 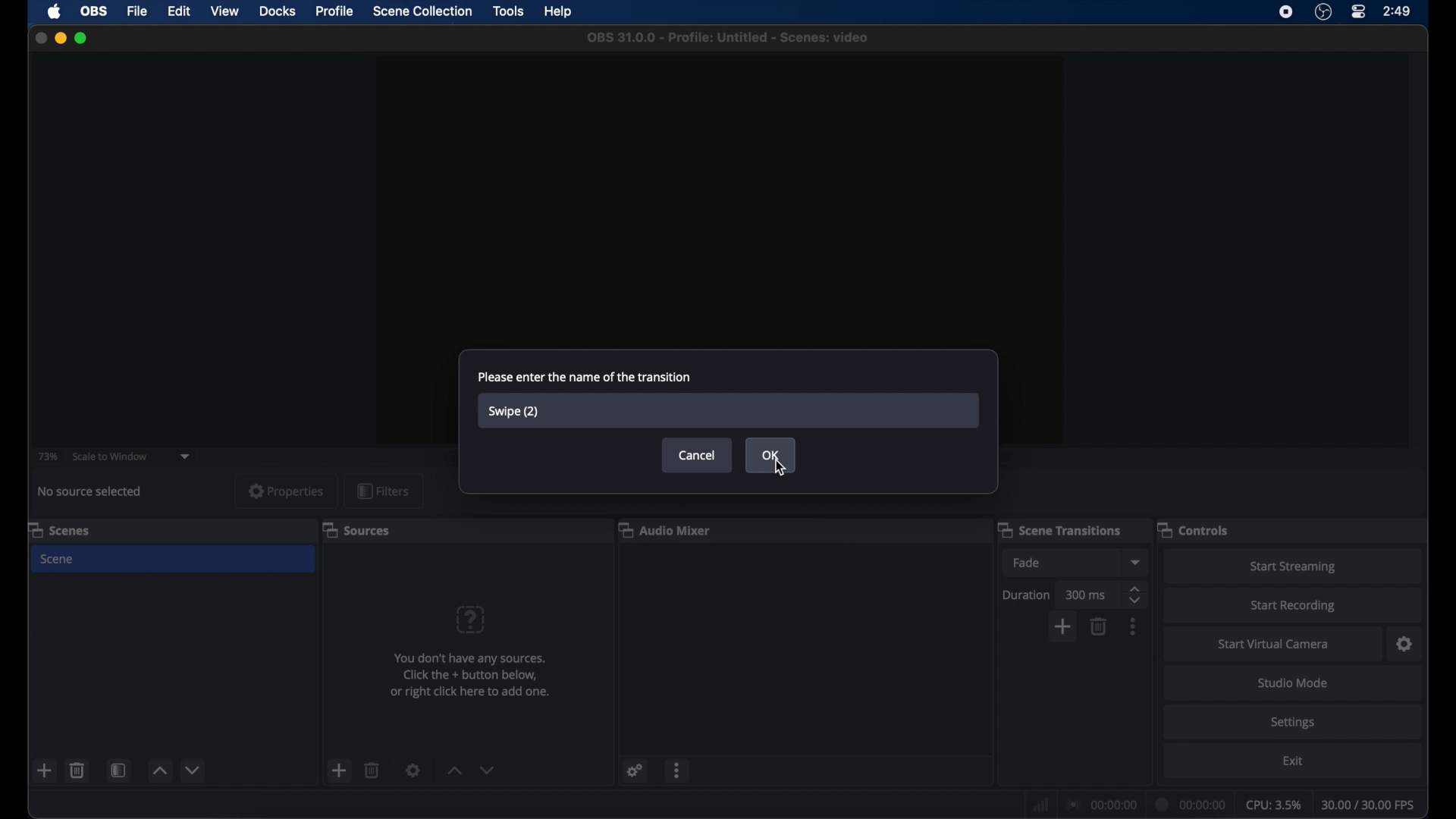 What do you see at coordinates (488, 770) in the screenshot?
I see `decrement` at bounding box center [488, 770].